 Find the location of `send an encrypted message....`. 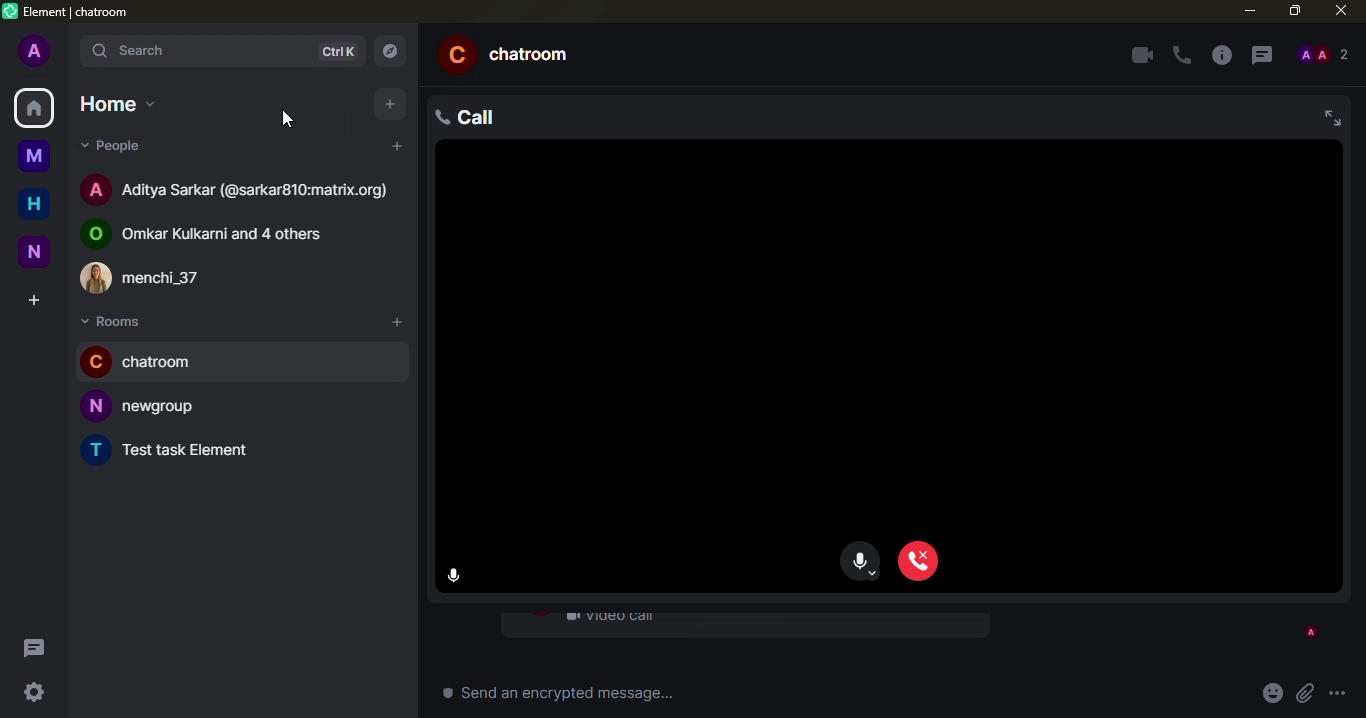

send an encrypted message.... is located at coordinates (567, 694).